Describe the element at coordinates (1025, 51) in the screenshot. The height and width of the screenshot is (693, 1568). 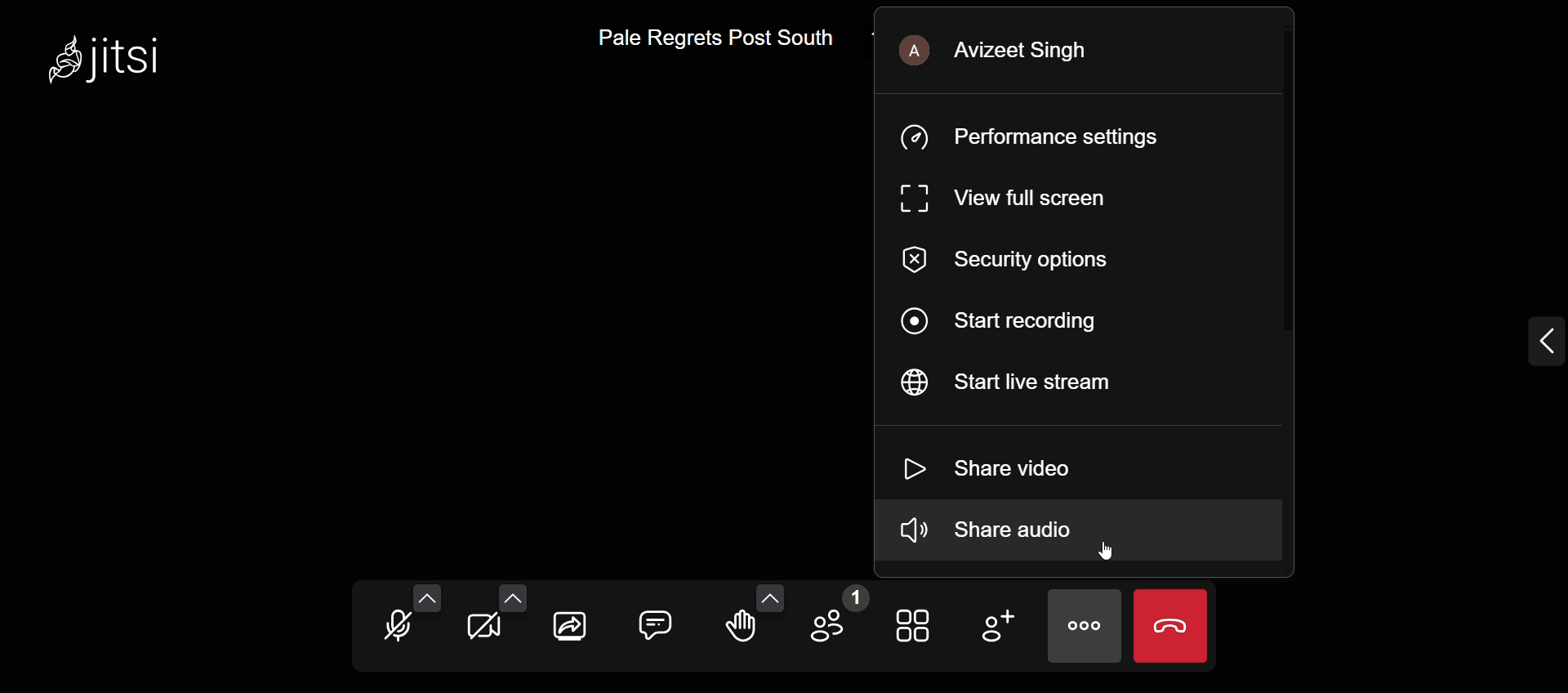
I see `Avizeet singh` at that location.